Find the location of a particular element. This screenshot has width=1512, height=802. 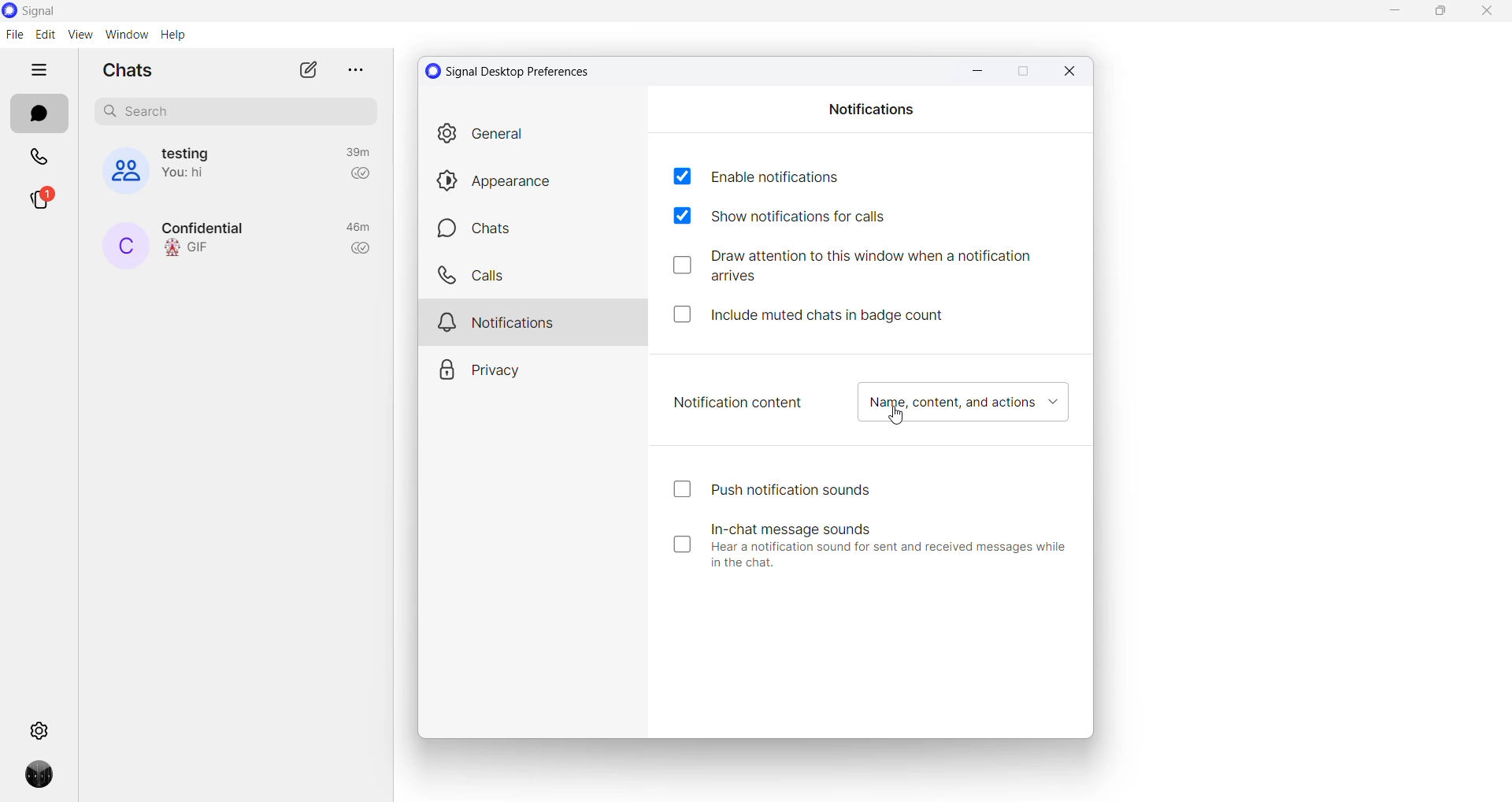

show notifications for call checkbox is located at coordinates (796, 217).